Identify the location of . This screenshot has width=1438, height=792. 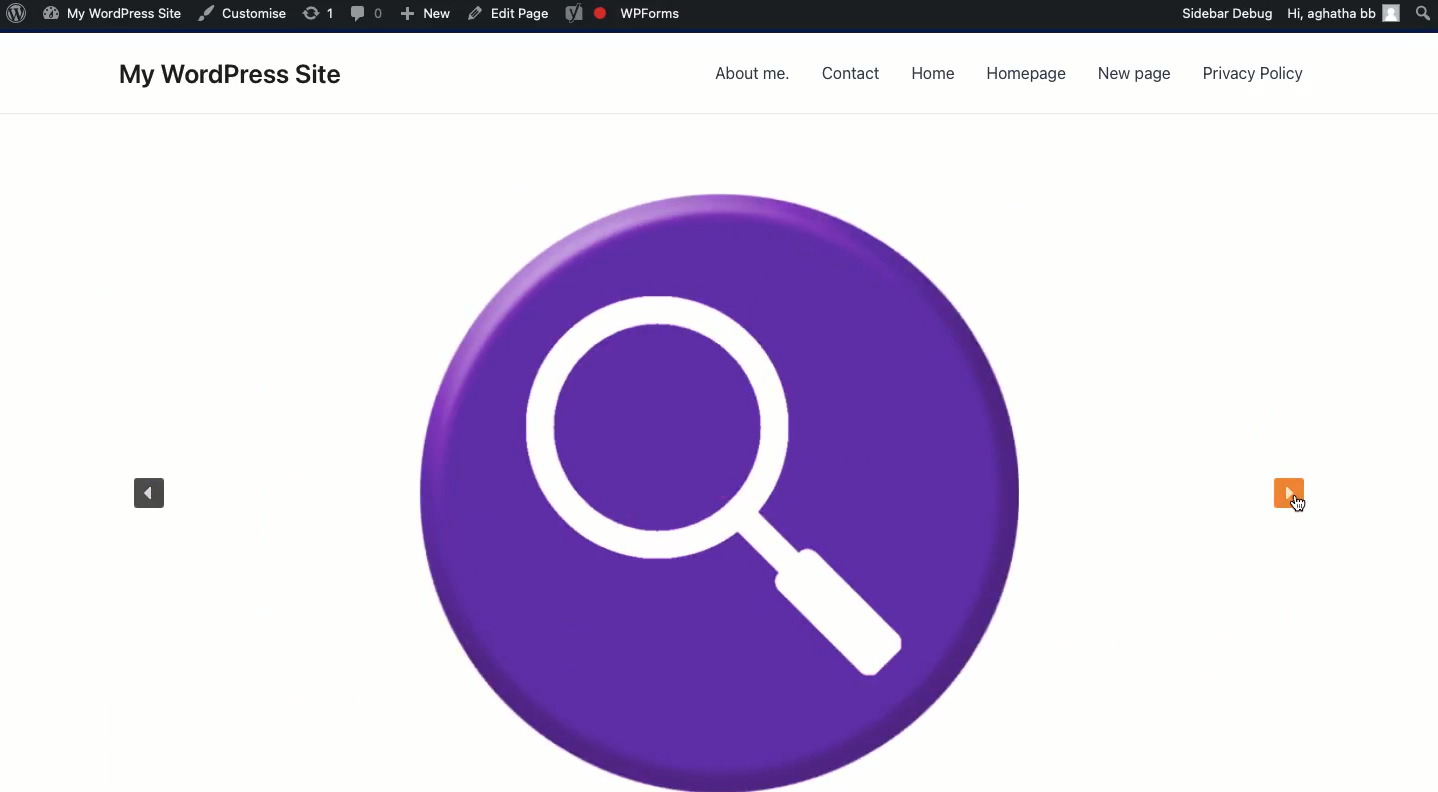
(320, 14).